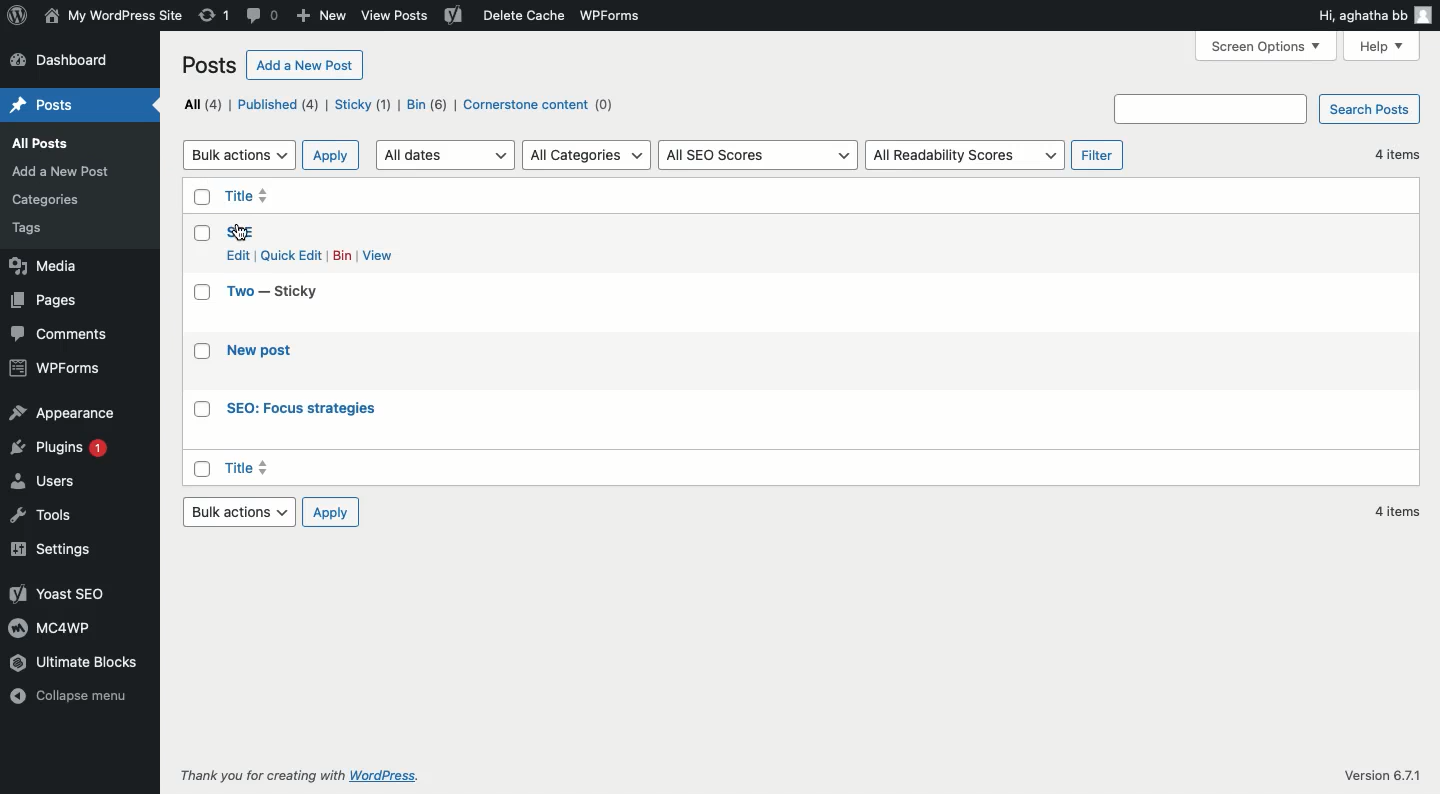  What do you see at coordinates (545, 104) in the screenshot?
I see `Cornerstone content` at bounding box center [545, 104].